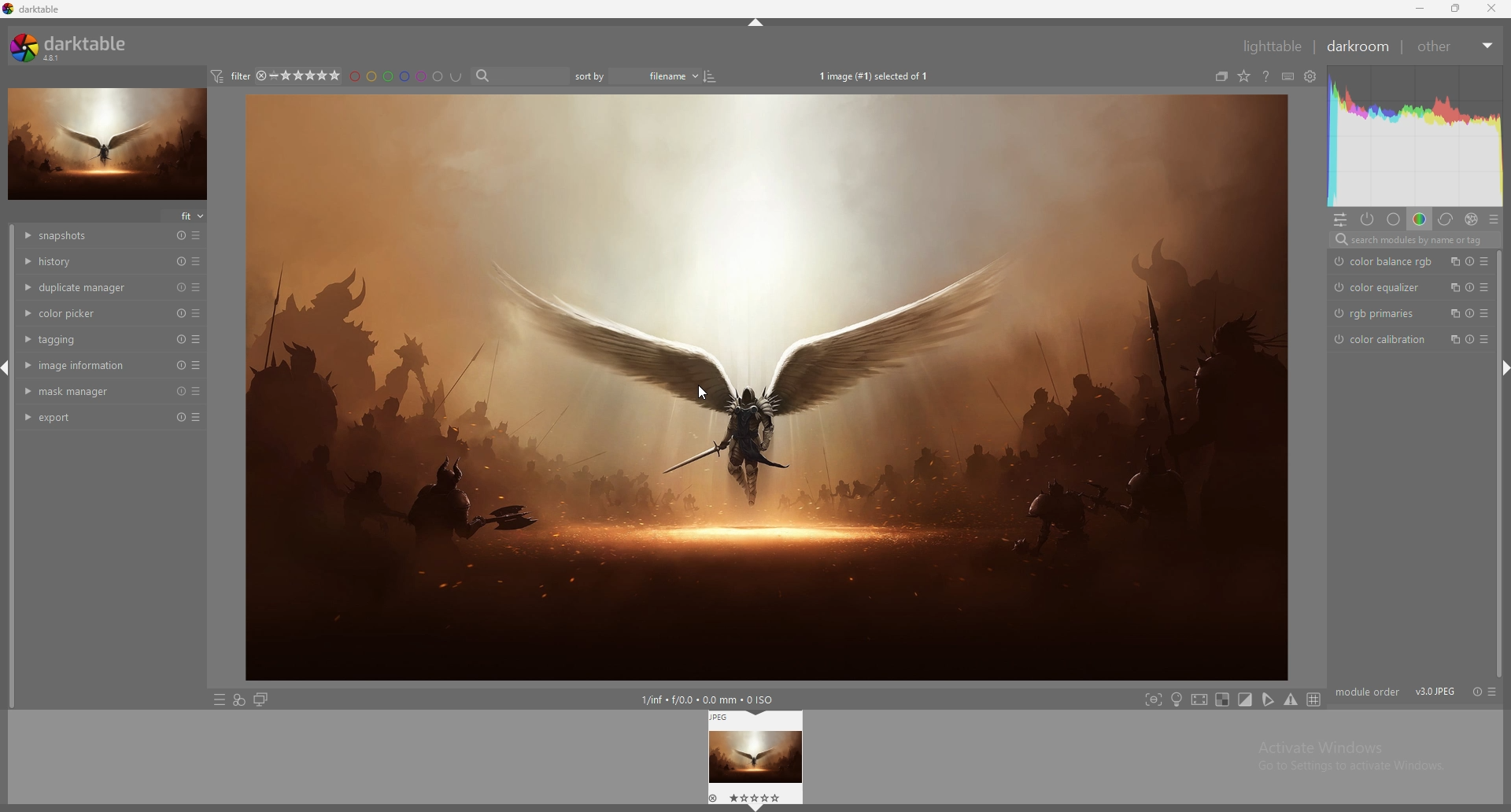 This screenshot has height=812, width=1511. Describe the element at coordinates (657, 76) in the screenshot. I see `filename` at that location.